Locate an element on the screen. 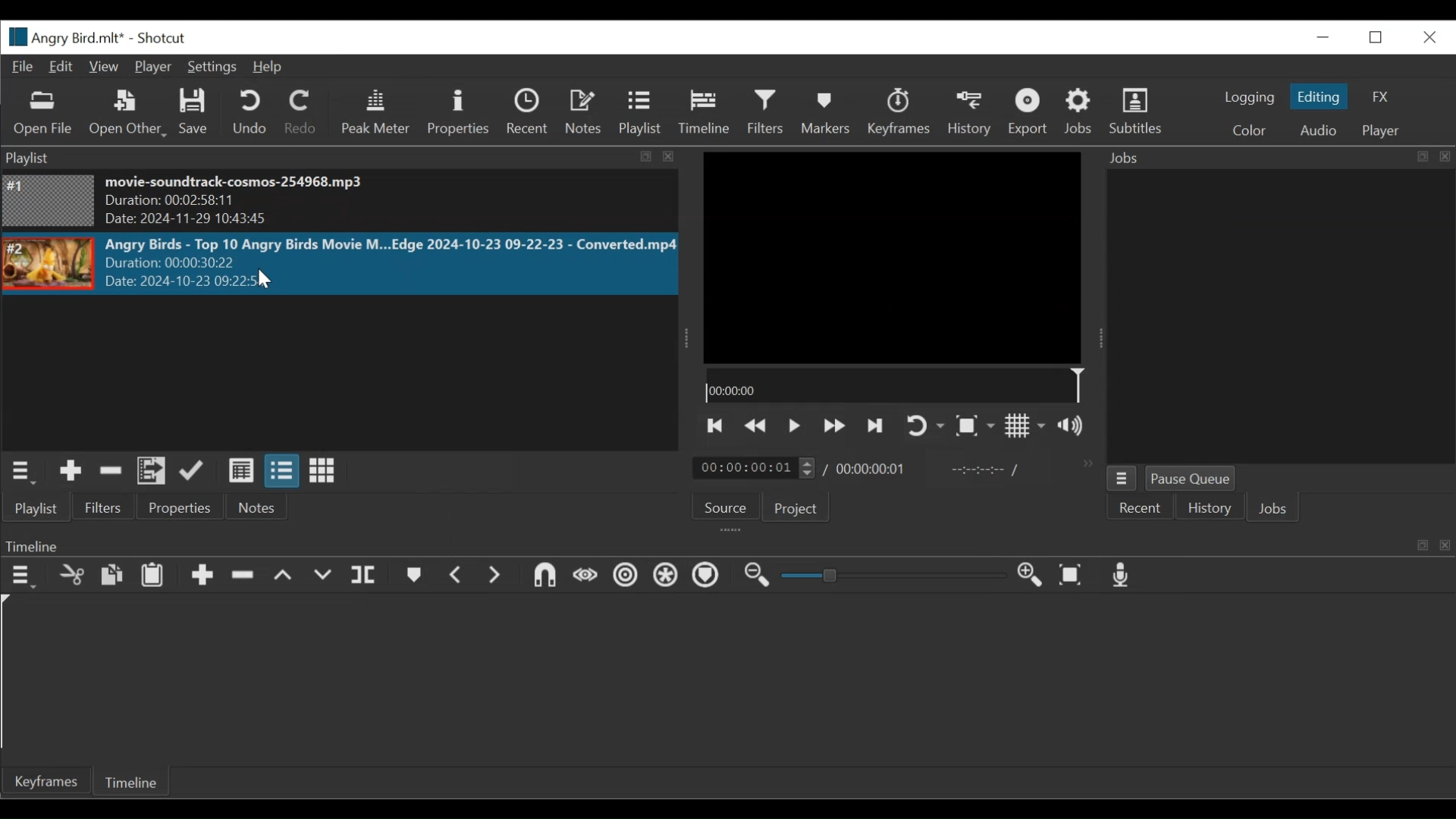 The height and width of the screenshot is (819, 1456). Timeline menu is located at coordinates (22, 577).